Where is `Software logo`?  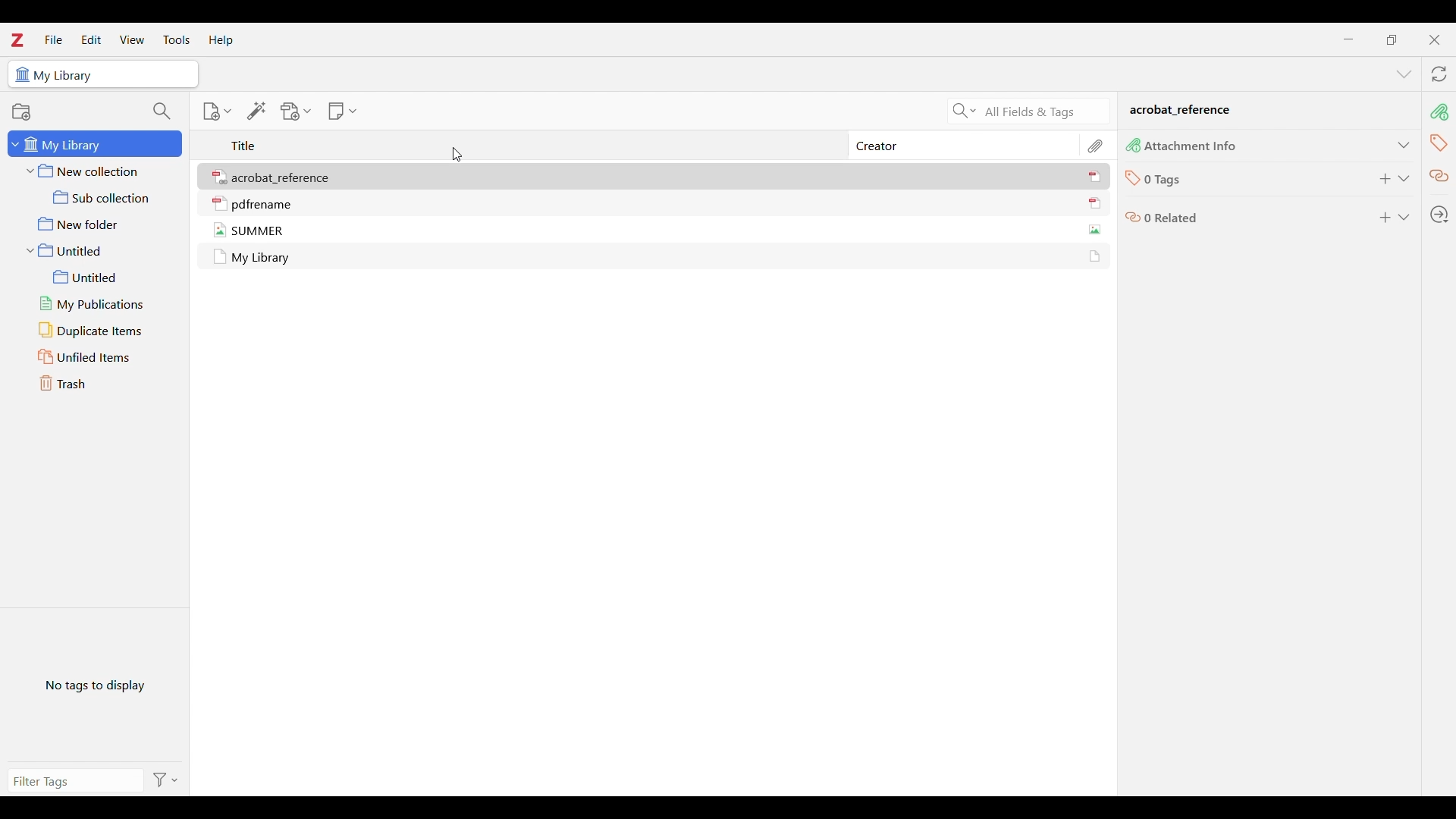 Software logo is located at coordinates (17, 41).